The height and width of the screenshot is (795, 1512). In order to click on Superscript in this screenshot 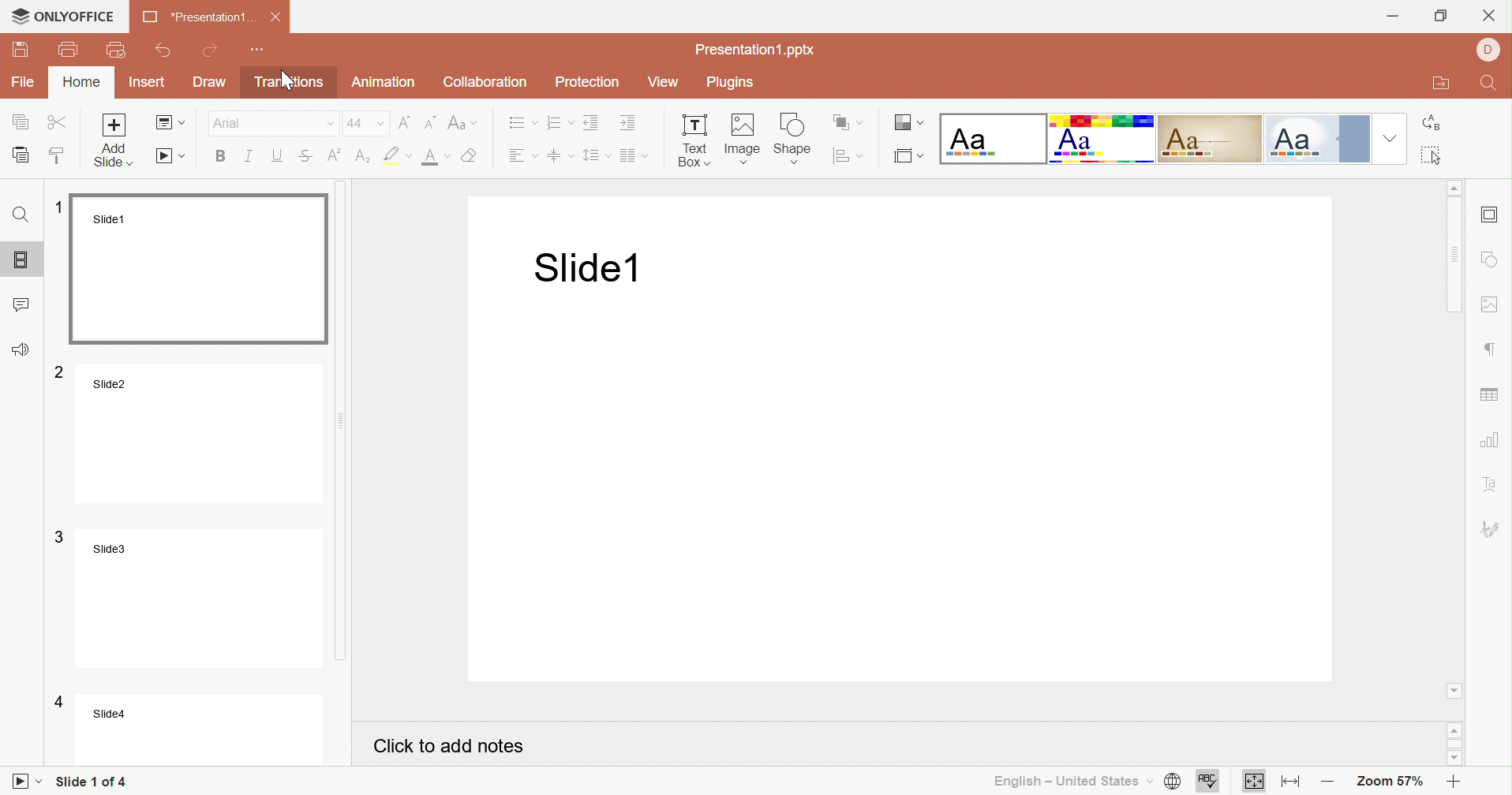, I will do `click(335, 155)`.